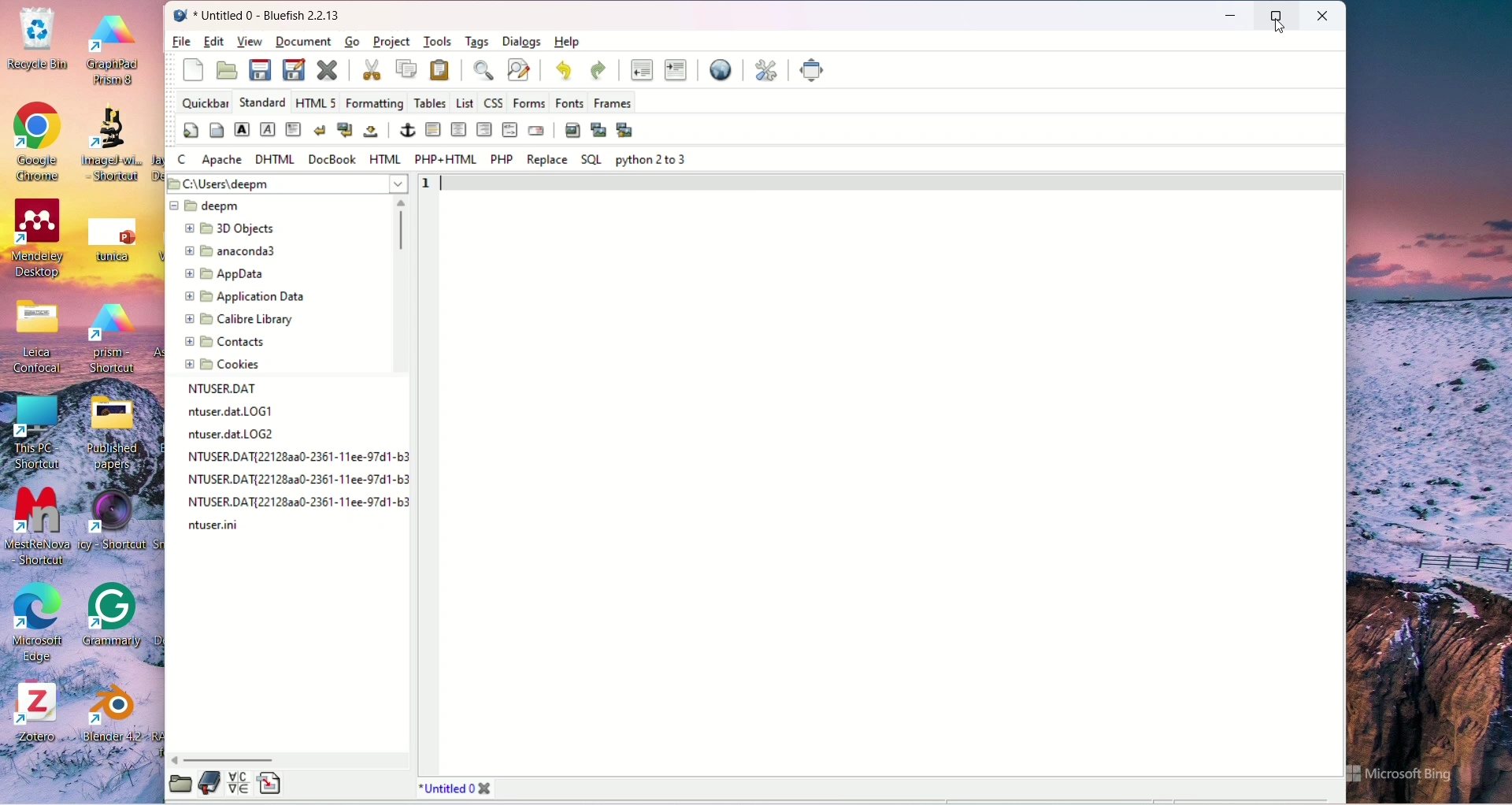 The width and height of the screenshot is (1512, 805). Describe the element at coordinates (34, 138) in the screenshot. I see `google chrome` at that location.